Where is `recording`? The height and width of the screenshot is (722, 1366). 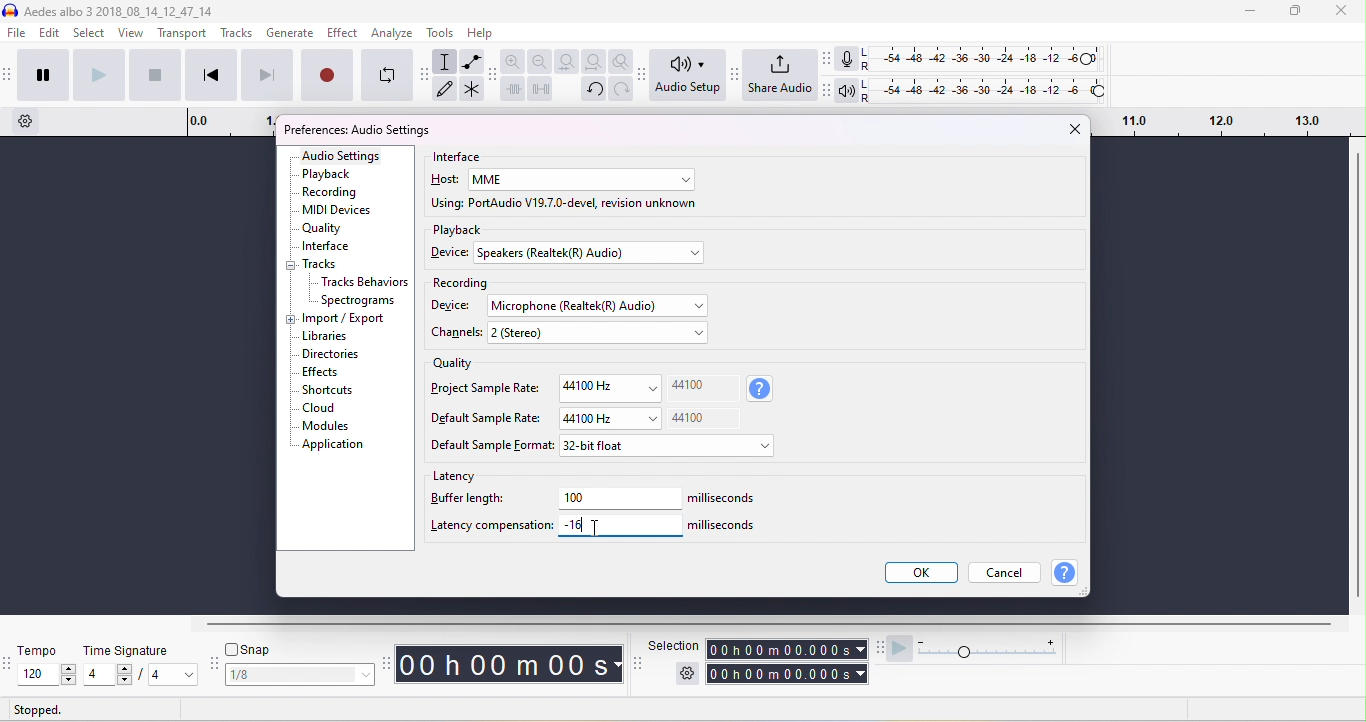
recording is located at coordinates (332, 191).